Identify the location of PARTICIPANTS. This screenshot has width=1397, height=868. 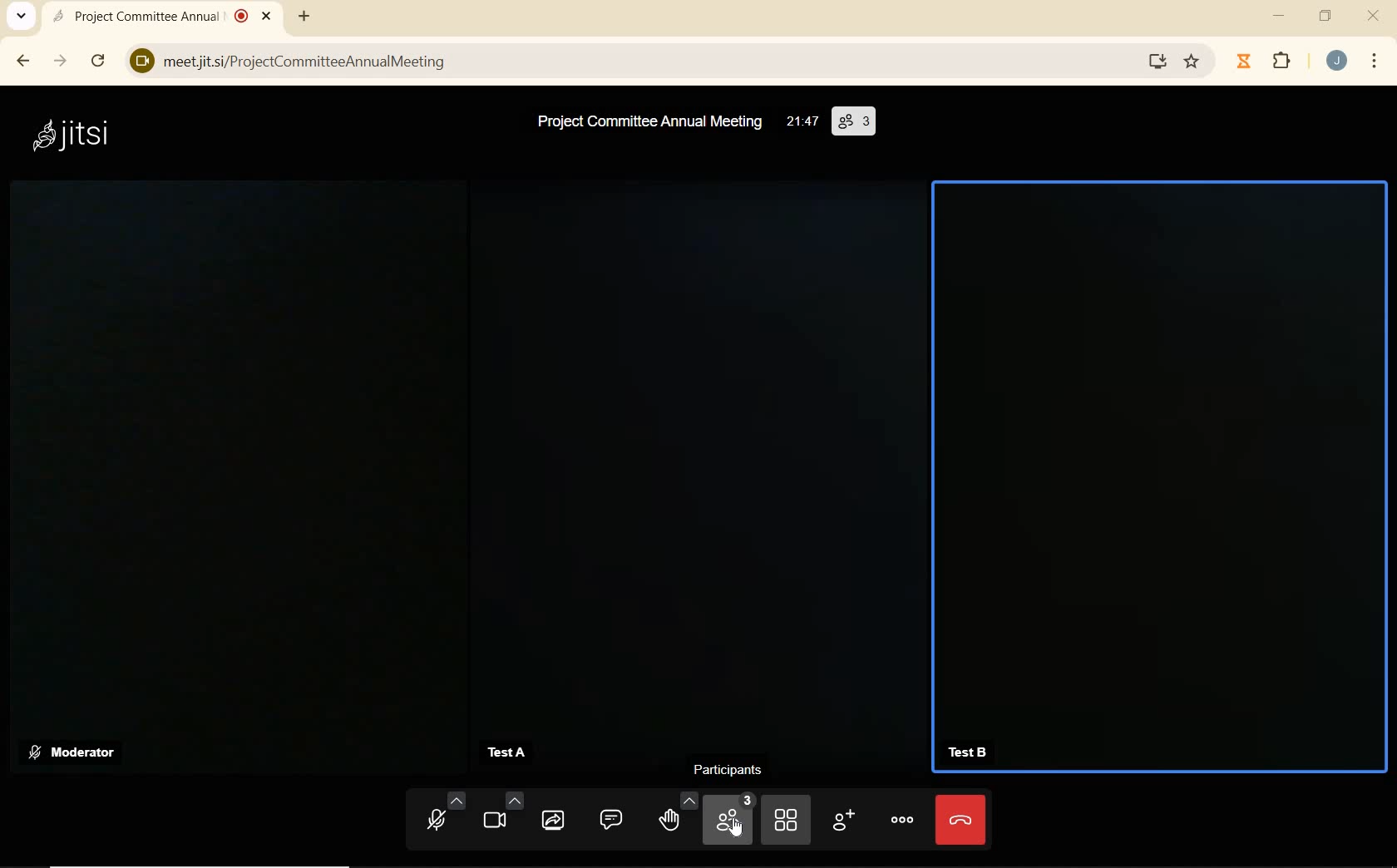
(728, 818).